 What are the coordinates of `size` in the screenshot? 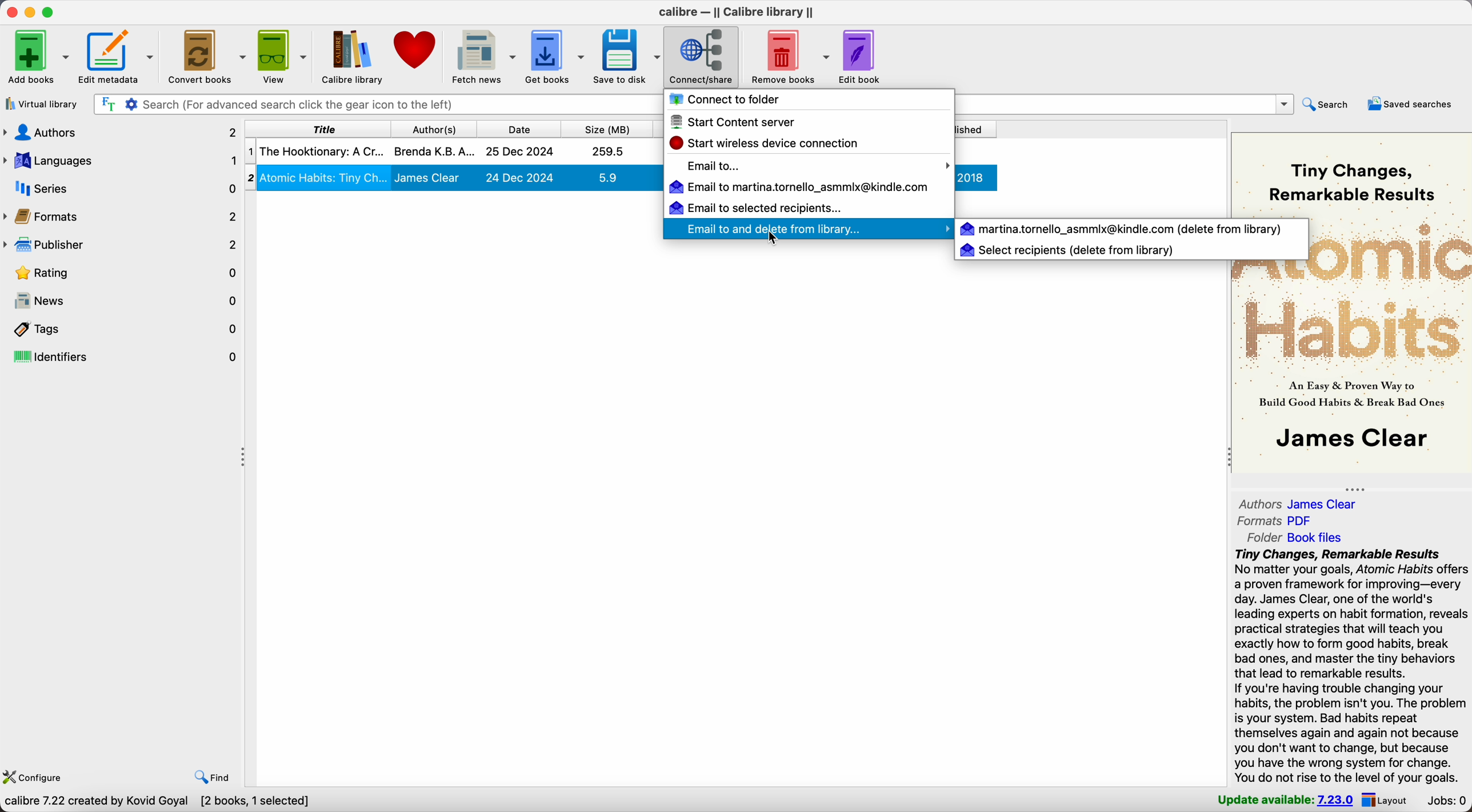 It's located at (606, 127).